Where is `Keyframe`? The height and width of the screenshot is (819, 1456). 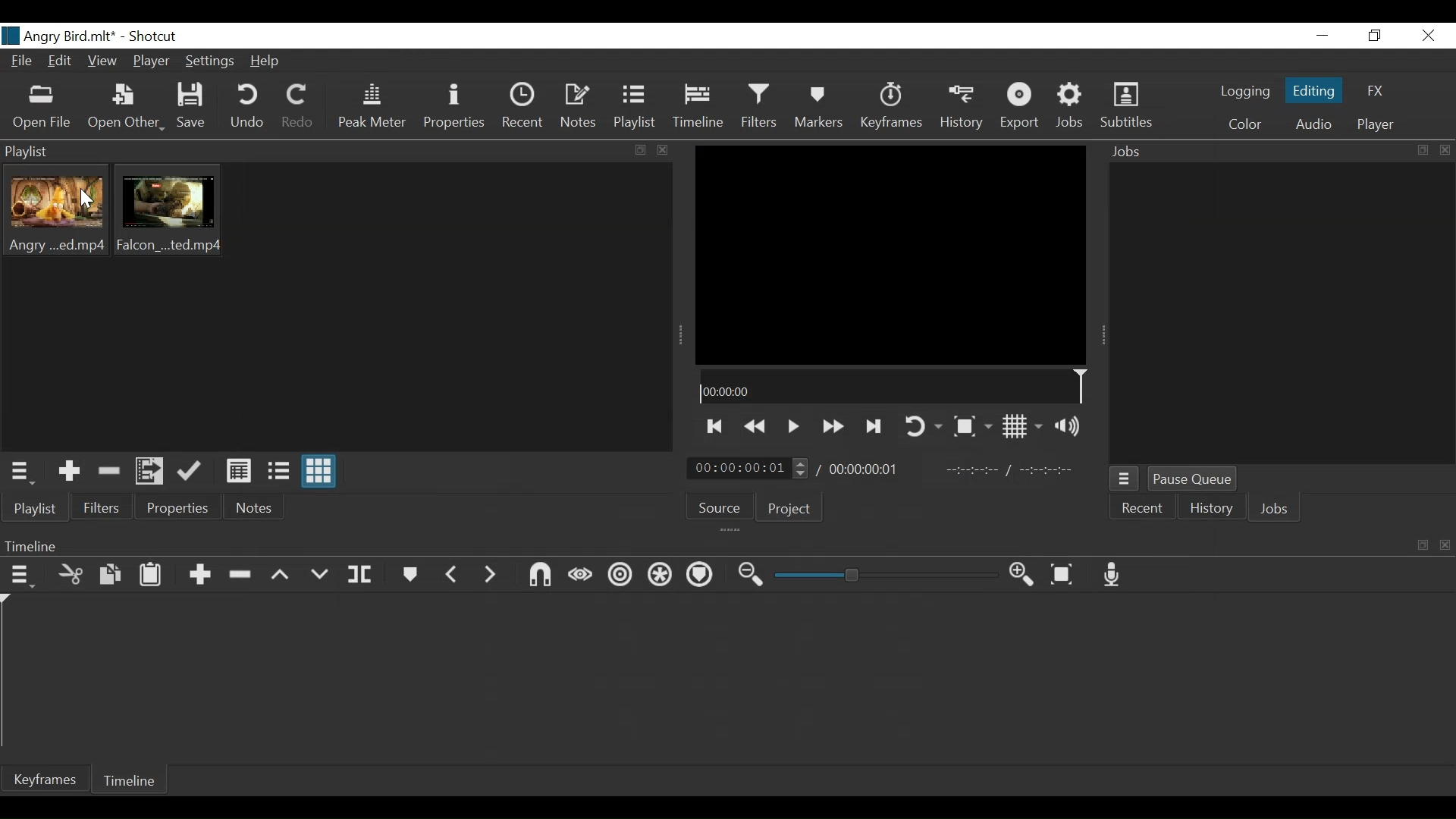
Keyframe is located at coordinates (893, 107).